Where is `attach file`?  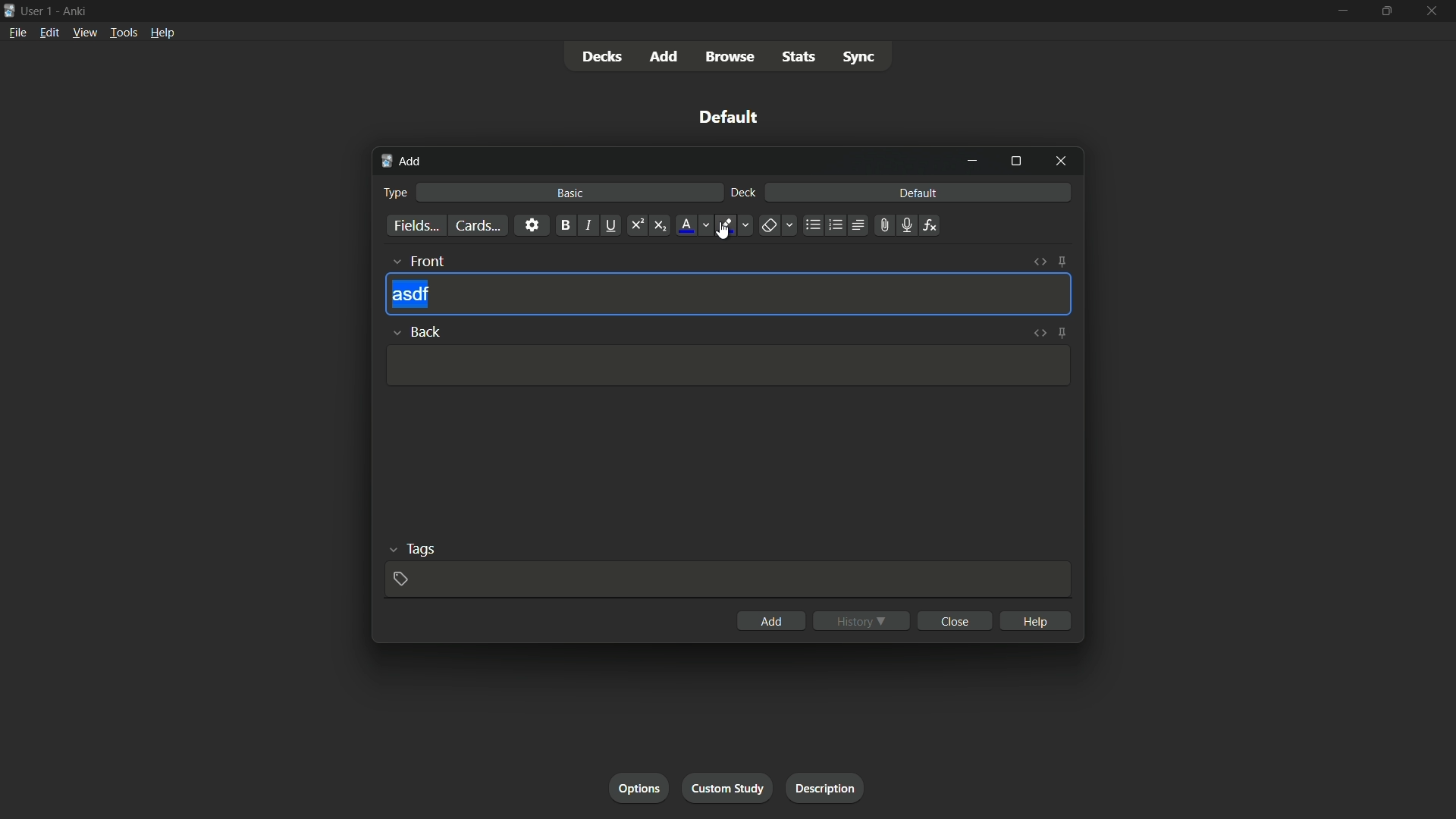 attach file is located at coordinates (885, 225).